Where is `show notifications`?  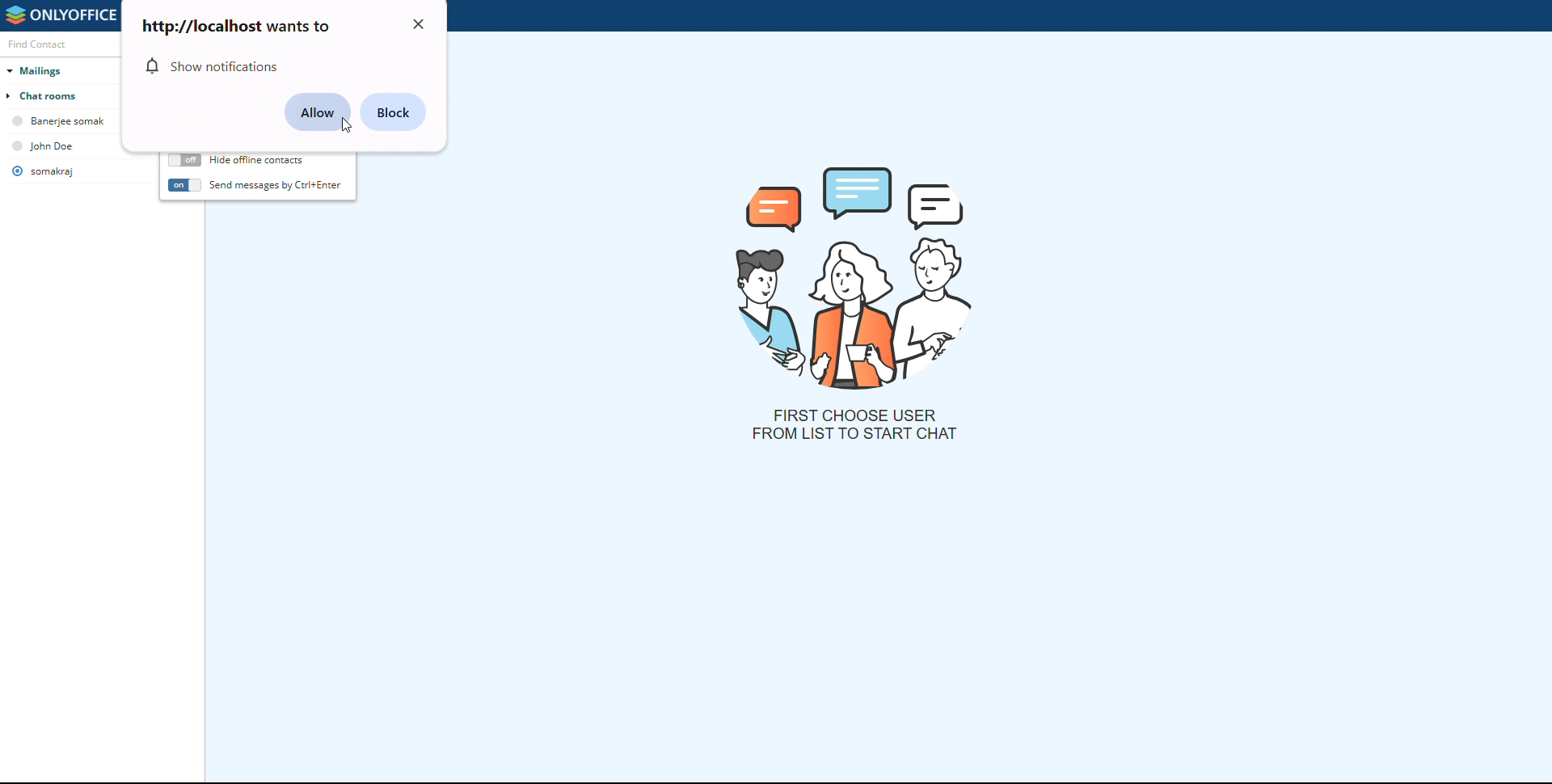
show notifications is located at coordinates (215, 66).